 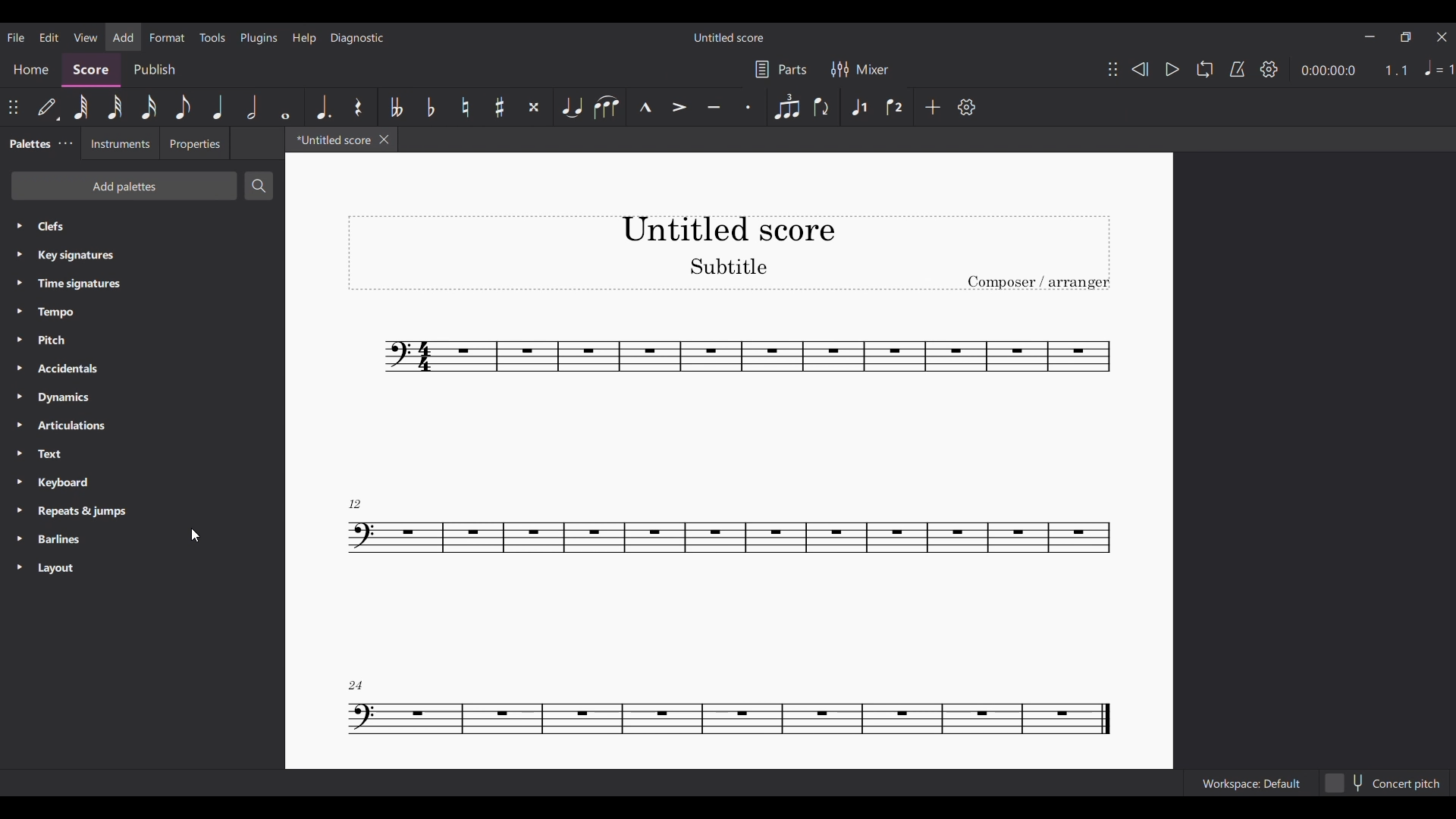 I want to click on restore, so click(x=1404, y=36).